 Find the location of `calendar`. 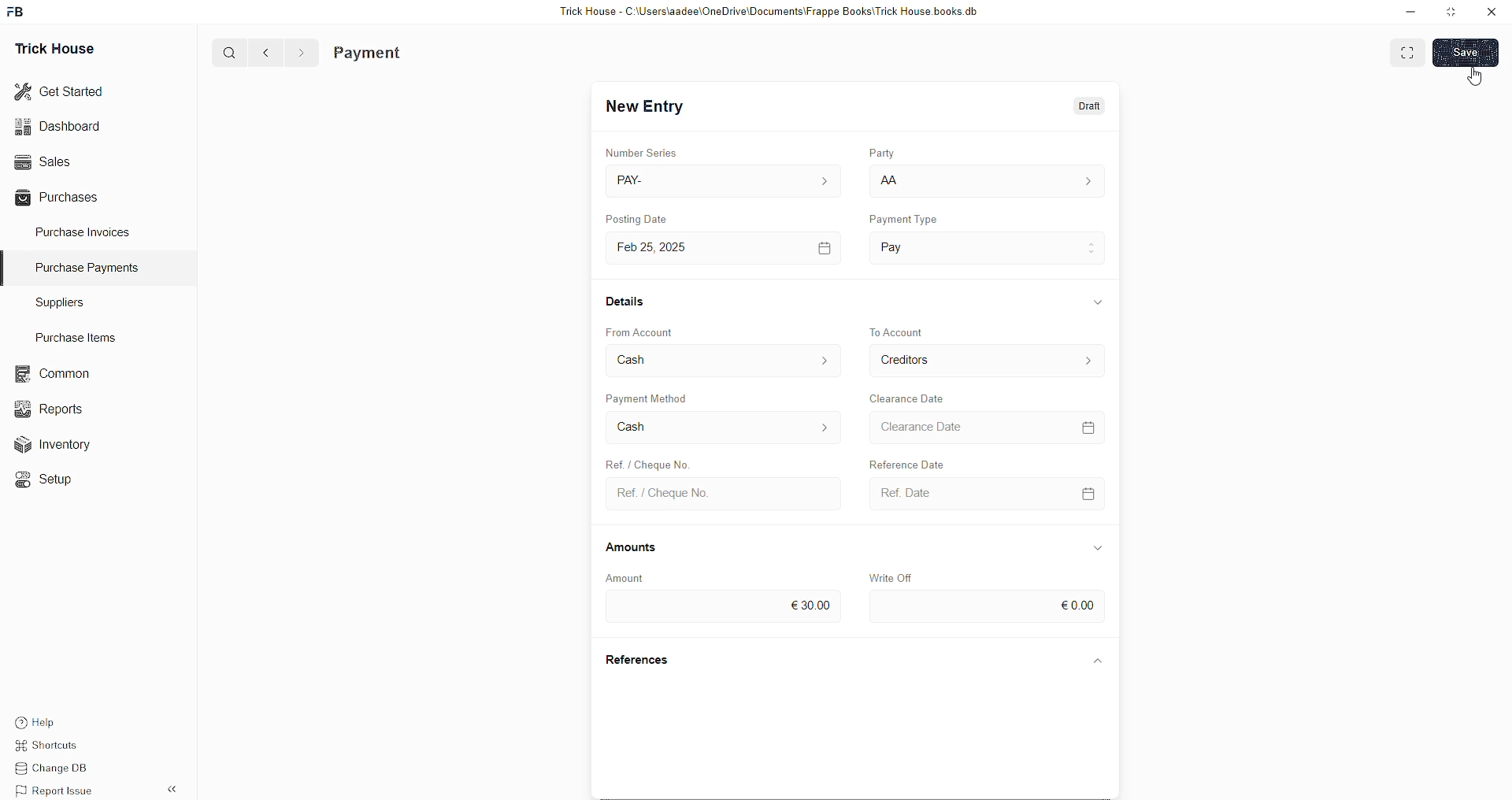

calendar is located at coordinates (1091, 429).